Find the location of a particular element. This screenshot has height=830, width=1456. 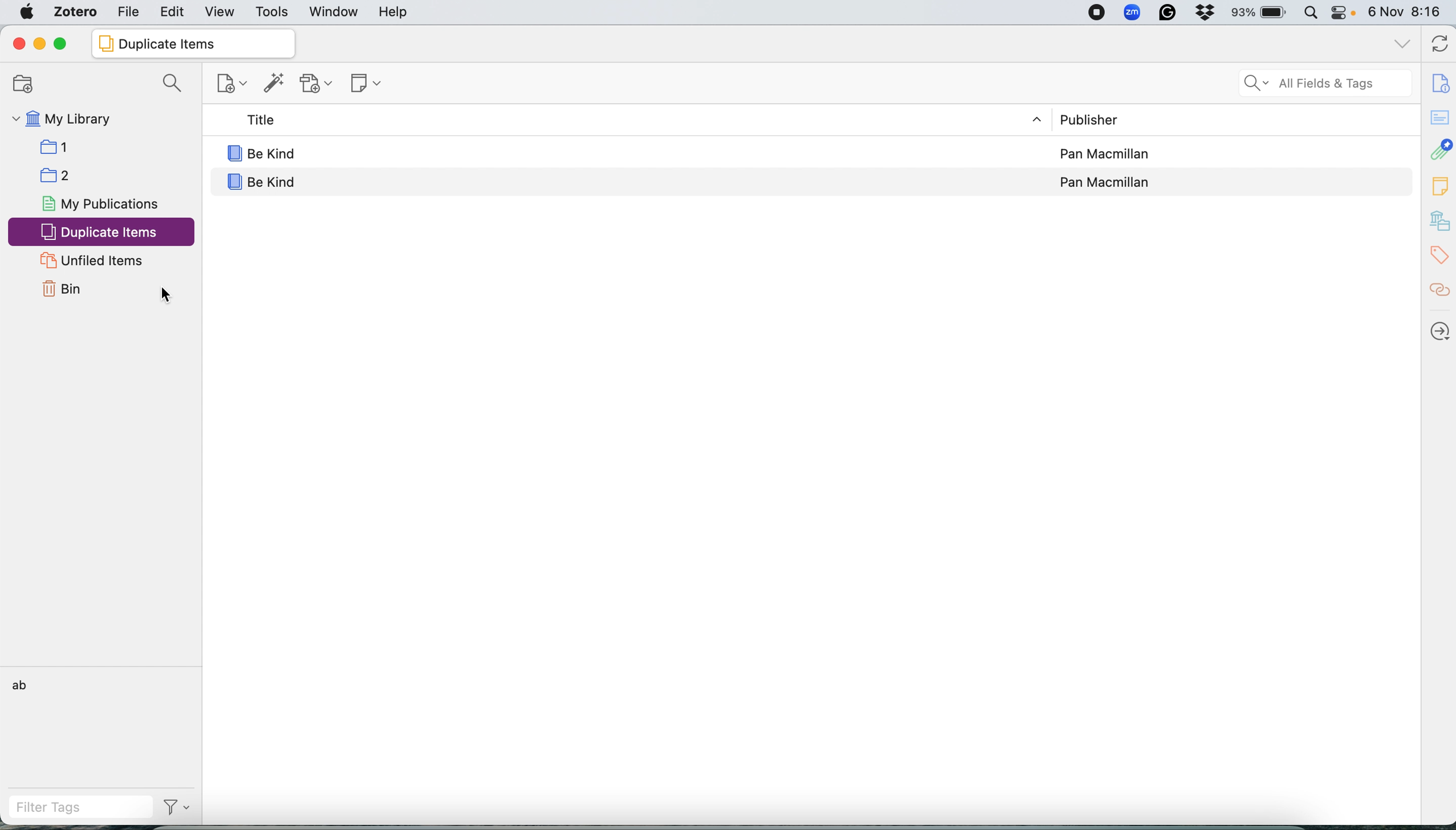

search is located at coordinates (172, 82).